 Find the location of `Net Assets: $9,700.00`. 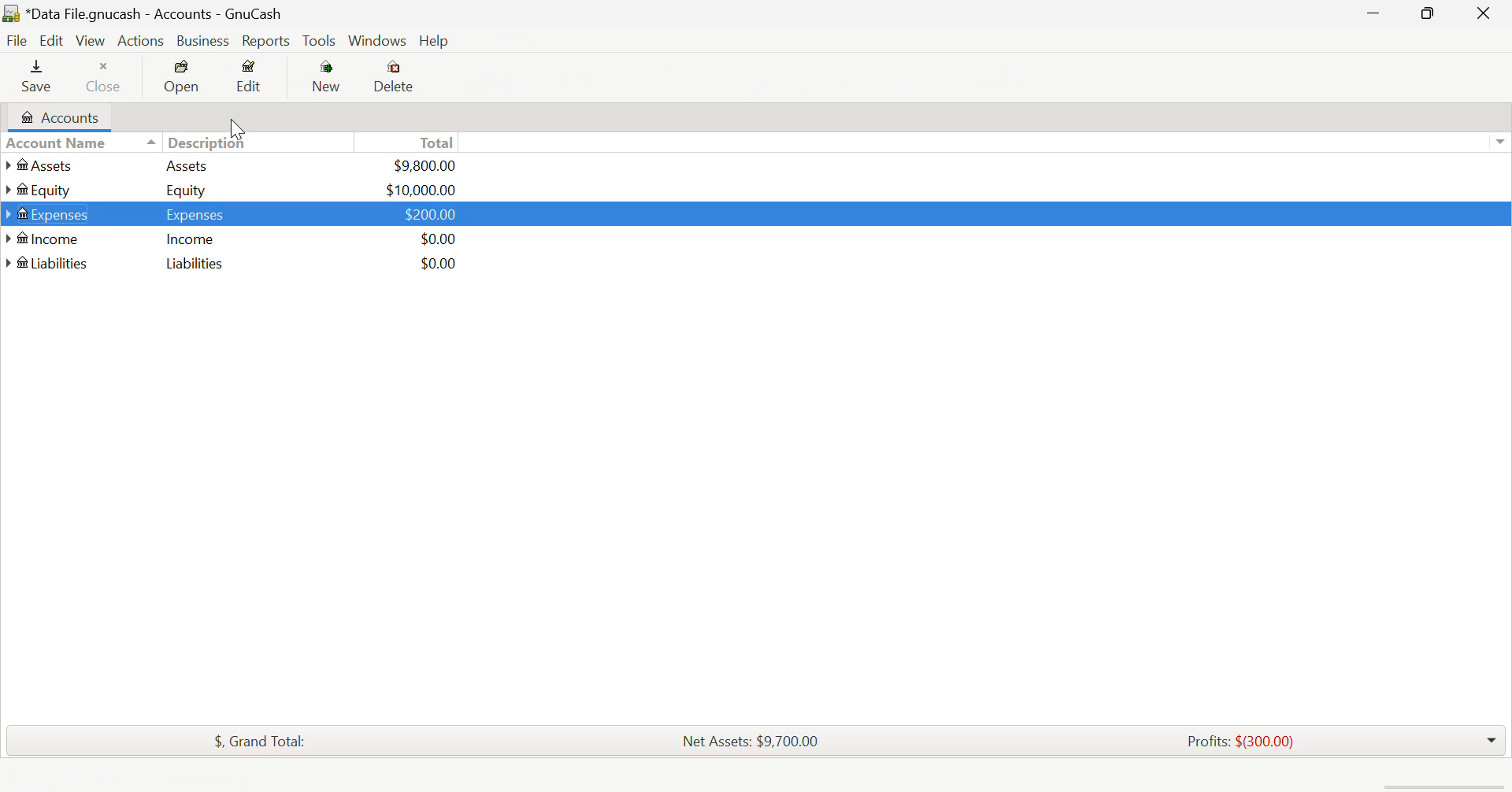

Net Assets: $9,700.00 is located at coordinates (751, 742).